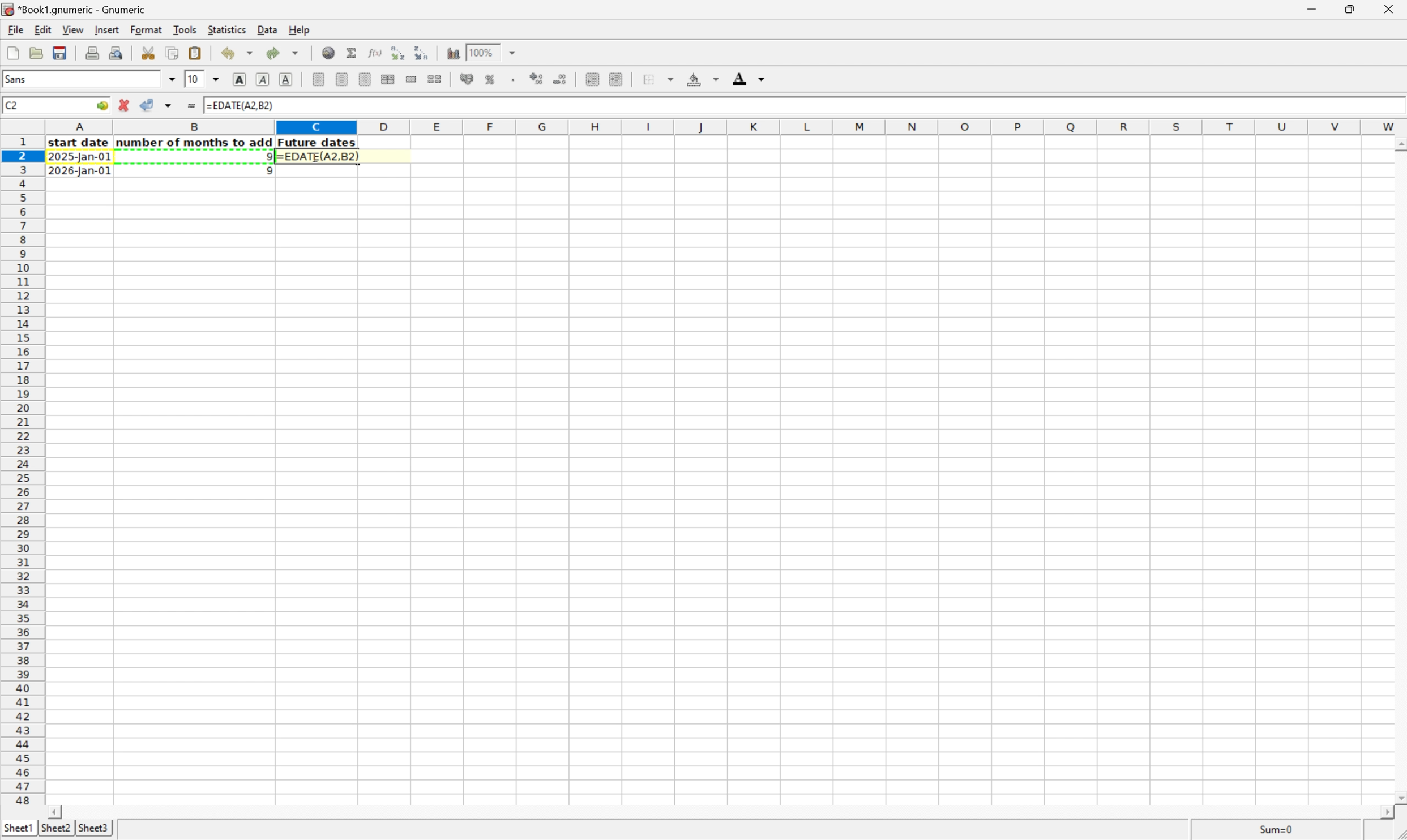 The height and width of the screenshot is (840, 1407). I want to click on Sum=0, so click(1278, 829).